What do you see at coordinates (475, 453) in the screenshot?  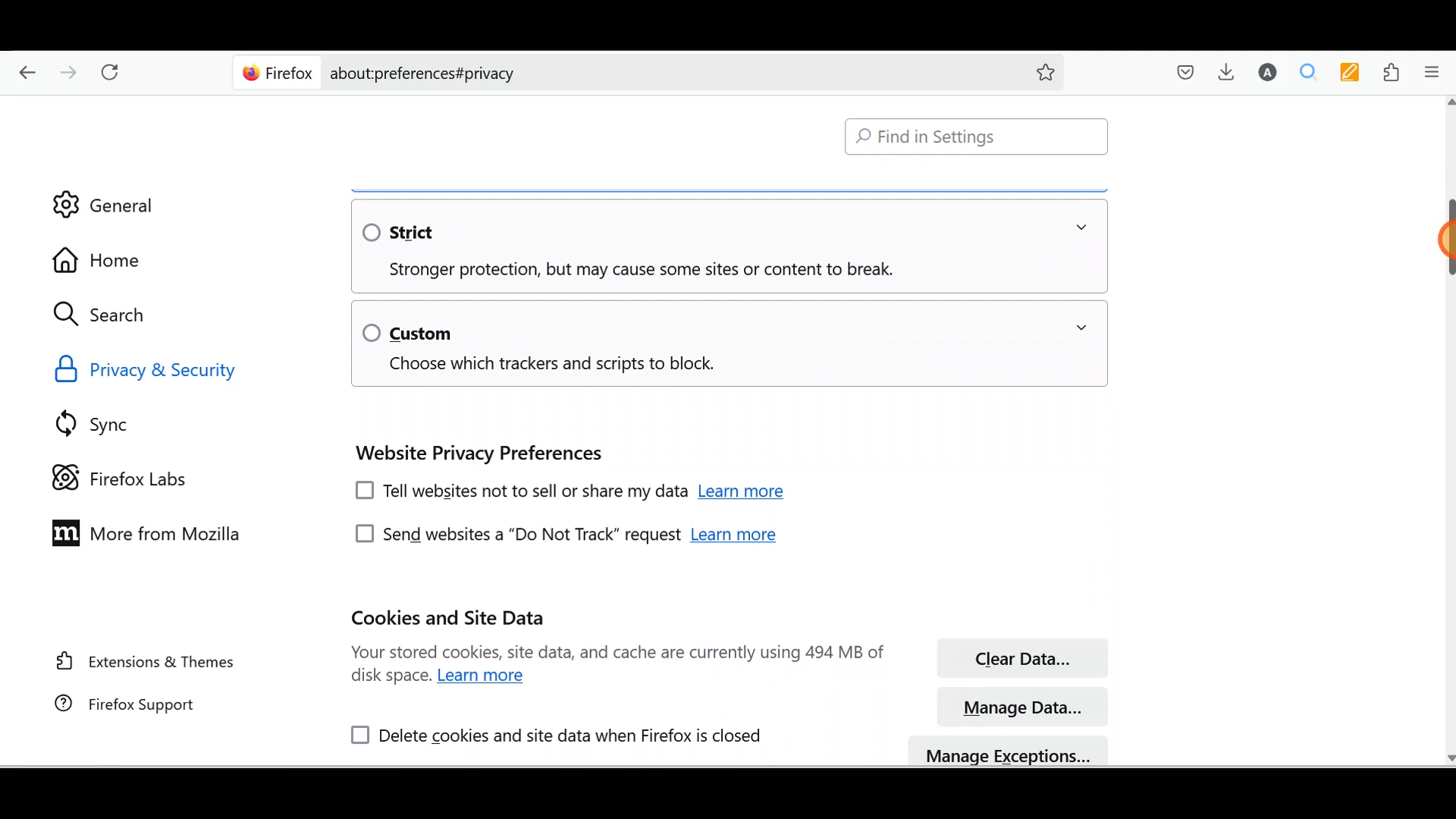 I see `Website privacy preferences` at bounding box center [475, 453].